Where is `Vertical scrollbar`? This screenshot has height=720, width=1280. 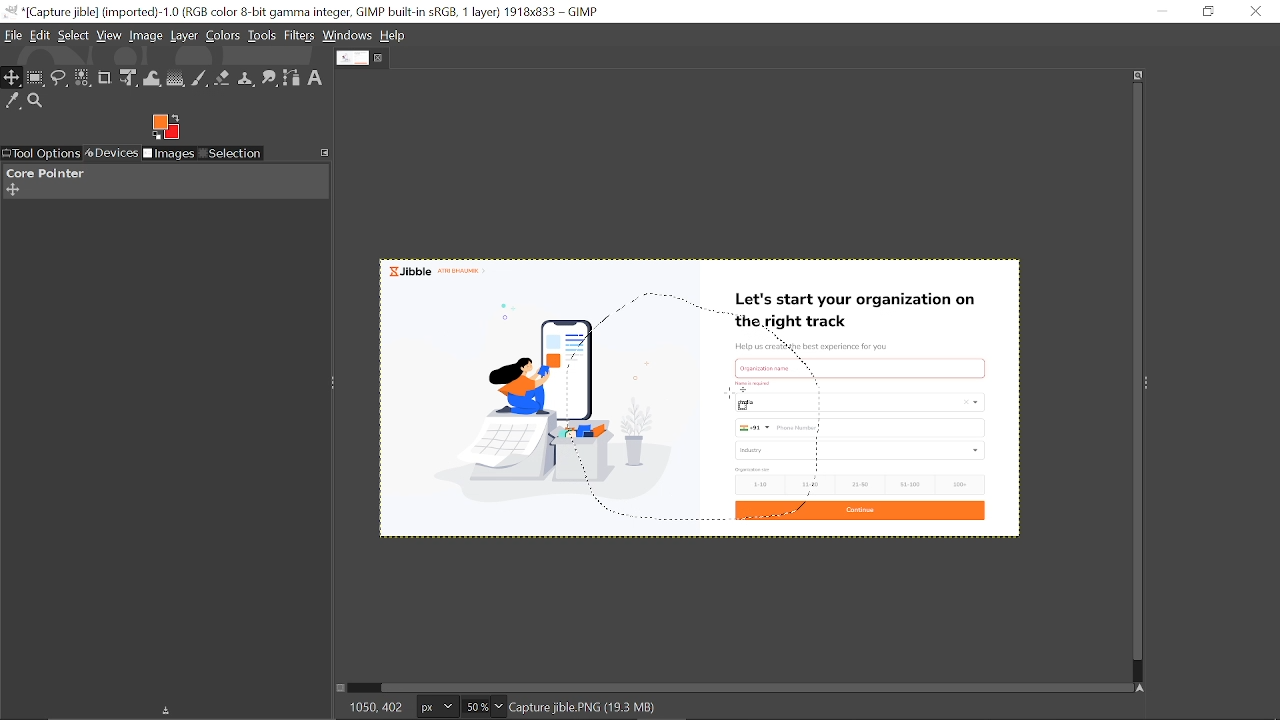 Vertical scrollbar is located at coordinates (1134, 373).